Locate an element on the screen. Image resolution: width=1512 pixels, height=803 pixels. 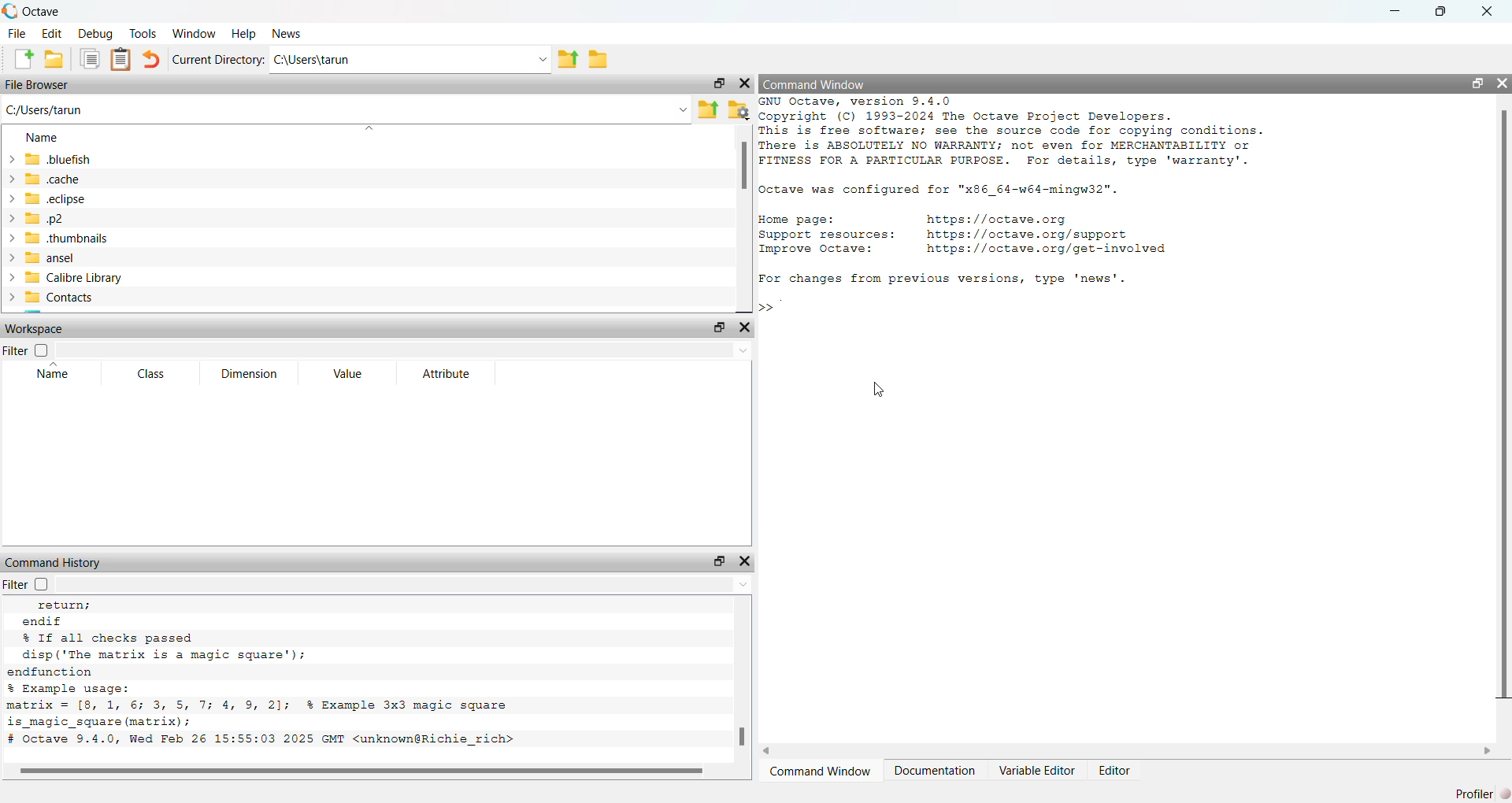
.p2 is located at coordinates (36, 219).